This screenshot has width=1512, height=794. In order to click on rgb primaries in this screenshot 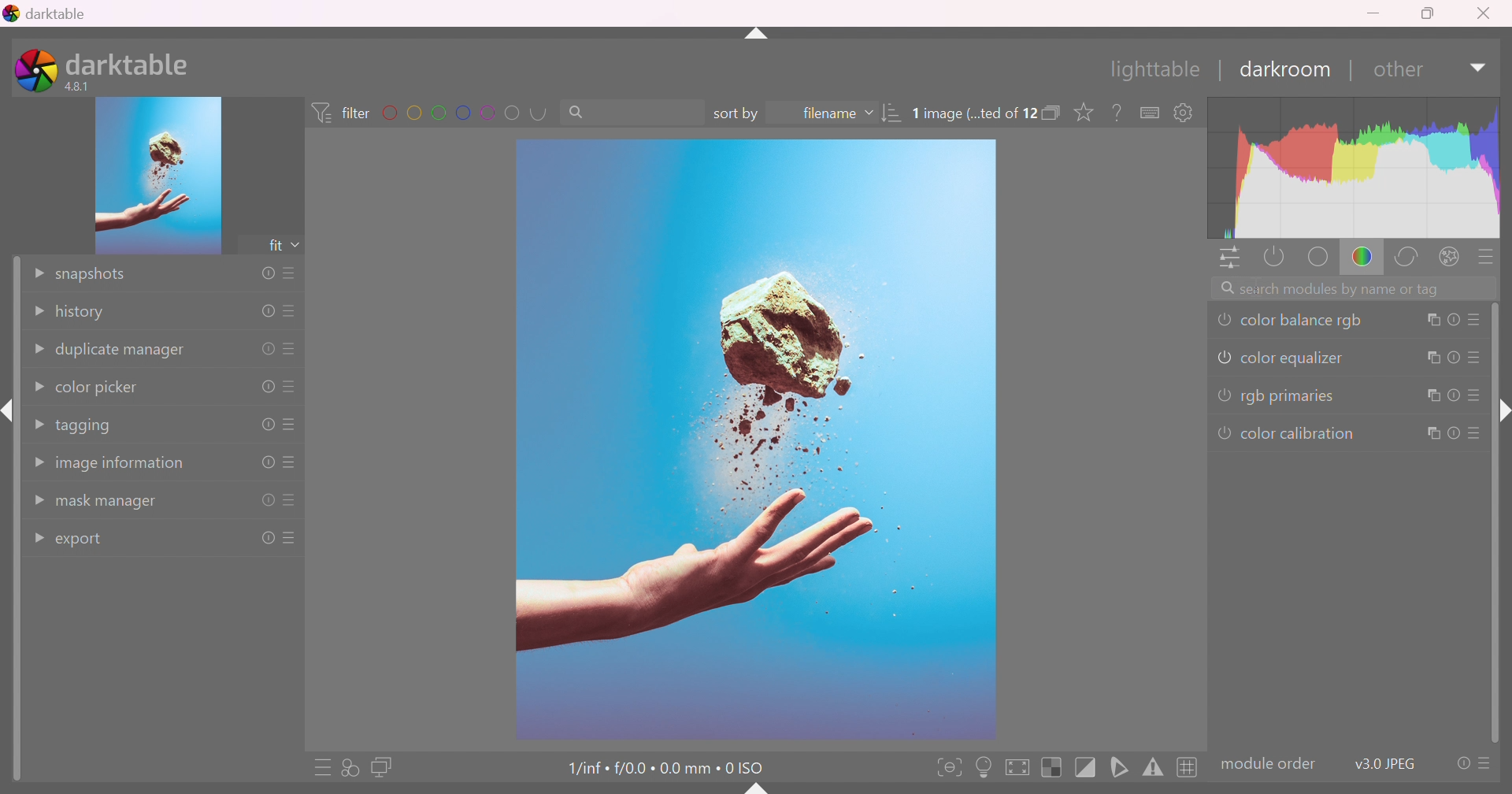, I will do `click(1291, 396)`.